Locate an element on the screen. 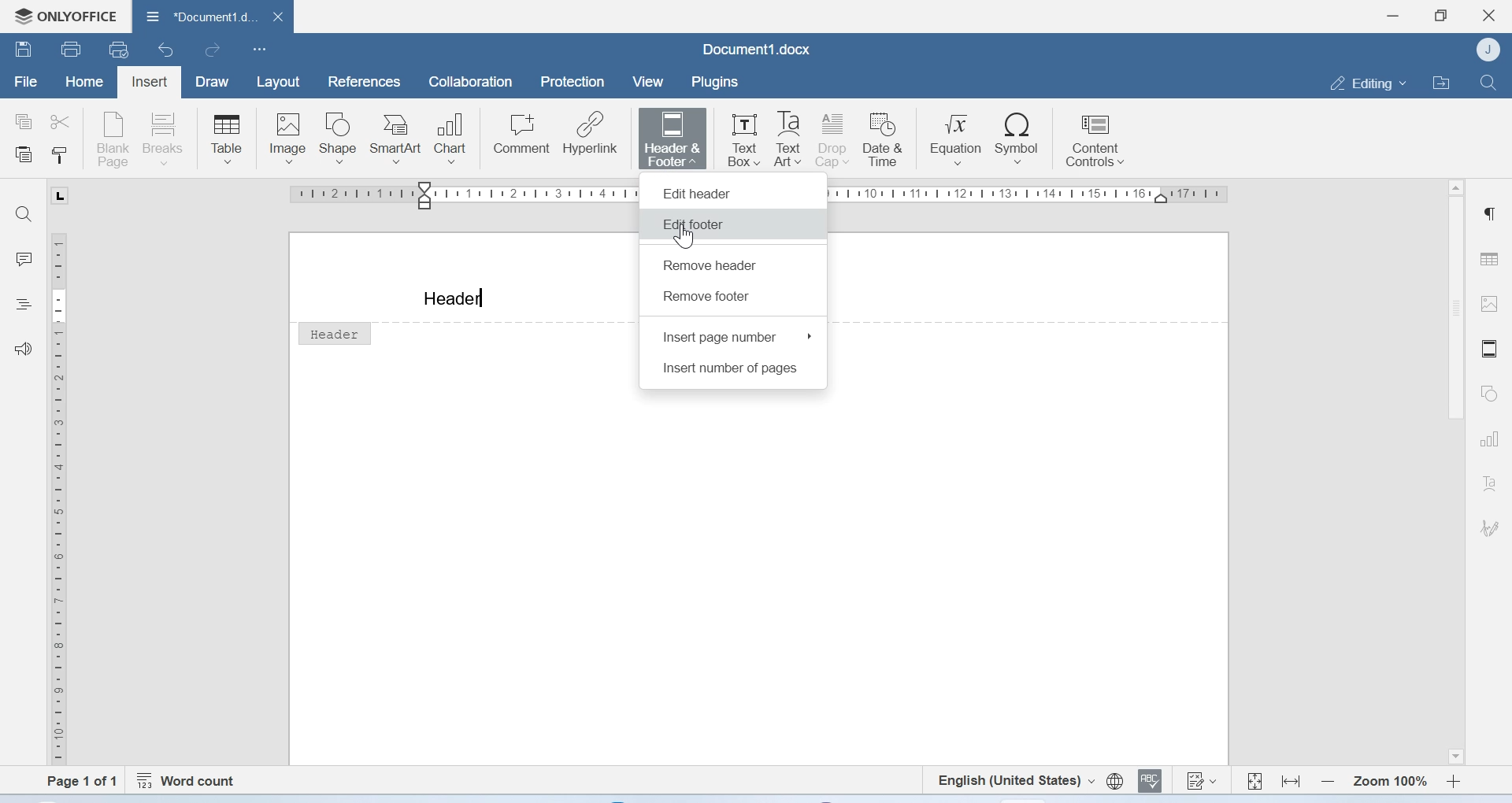 This screenshot has height=803, width=1512. Edit footer is located at coordinates (694, 224).